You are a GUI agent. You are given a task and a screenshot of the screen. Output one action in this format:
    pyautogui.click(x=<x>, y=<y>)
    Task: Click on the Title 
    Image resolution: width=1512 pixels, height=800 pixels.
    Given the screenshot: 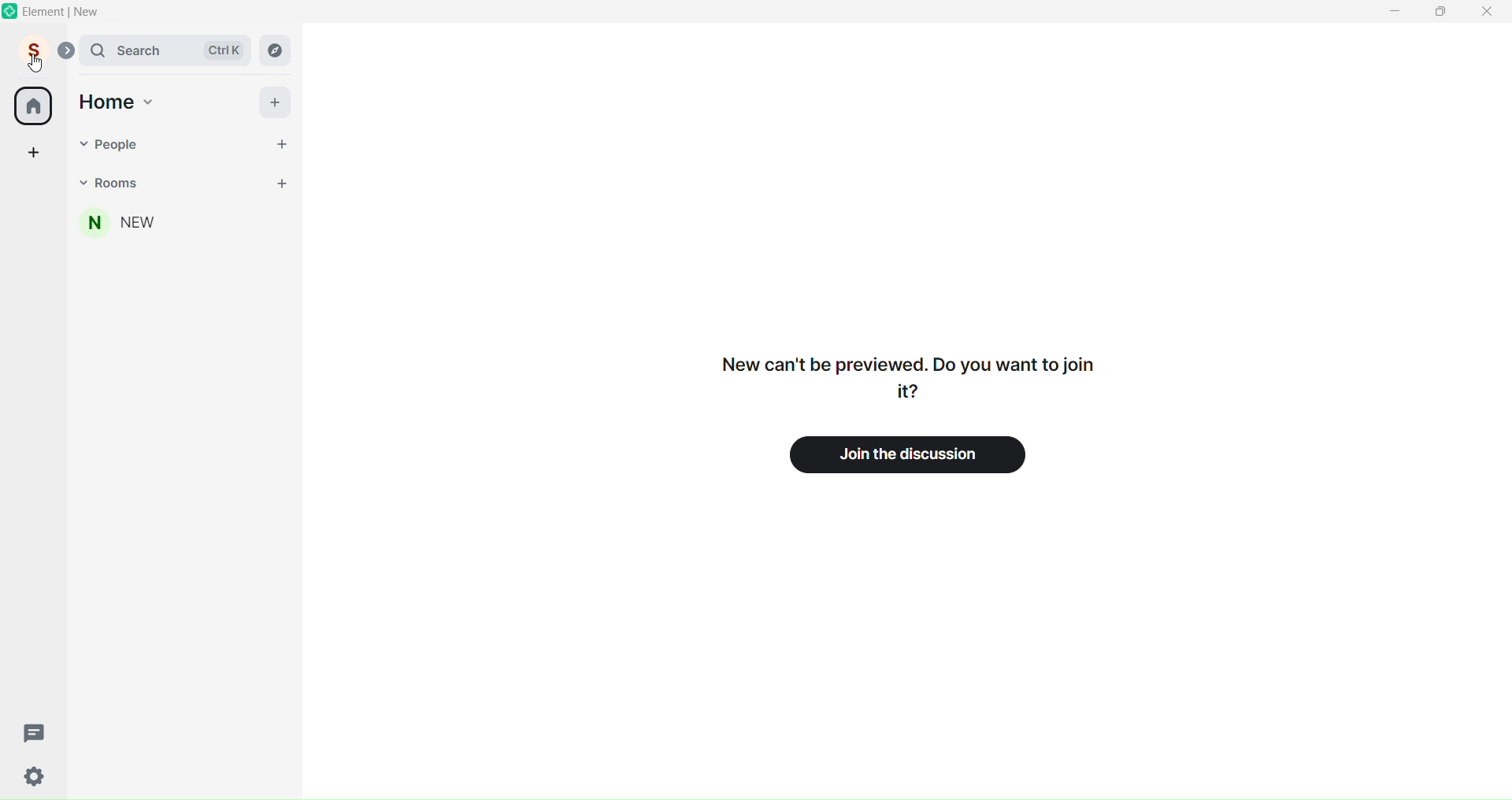 What is the action you would take?
    pyautogui.click(x=76, y=12)
    